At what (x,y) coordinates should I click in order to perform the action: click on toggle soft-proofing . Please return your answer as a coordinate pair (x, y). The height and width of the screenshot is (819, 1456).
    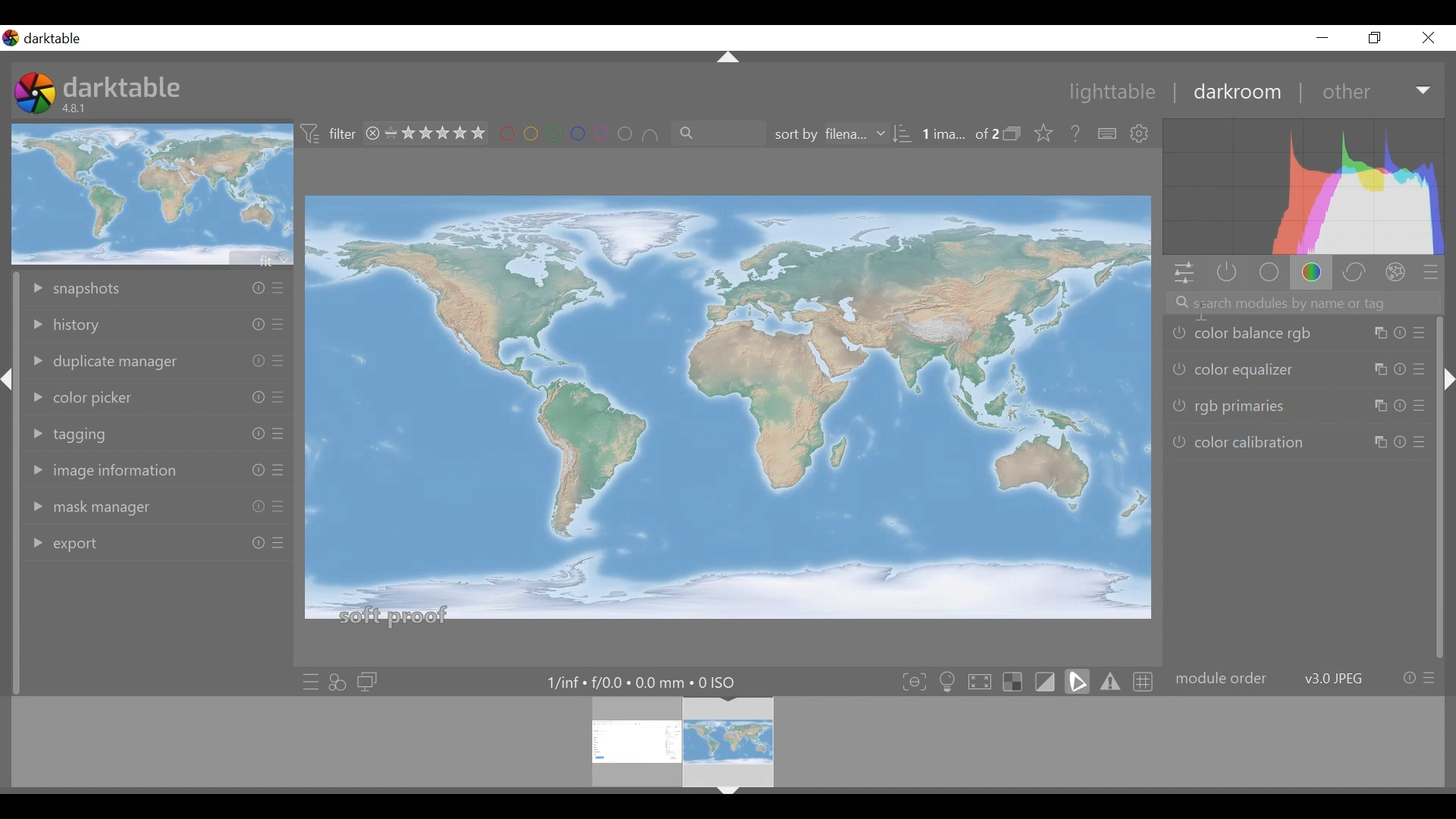
    Looking at the image, I should click on (1078, 681).